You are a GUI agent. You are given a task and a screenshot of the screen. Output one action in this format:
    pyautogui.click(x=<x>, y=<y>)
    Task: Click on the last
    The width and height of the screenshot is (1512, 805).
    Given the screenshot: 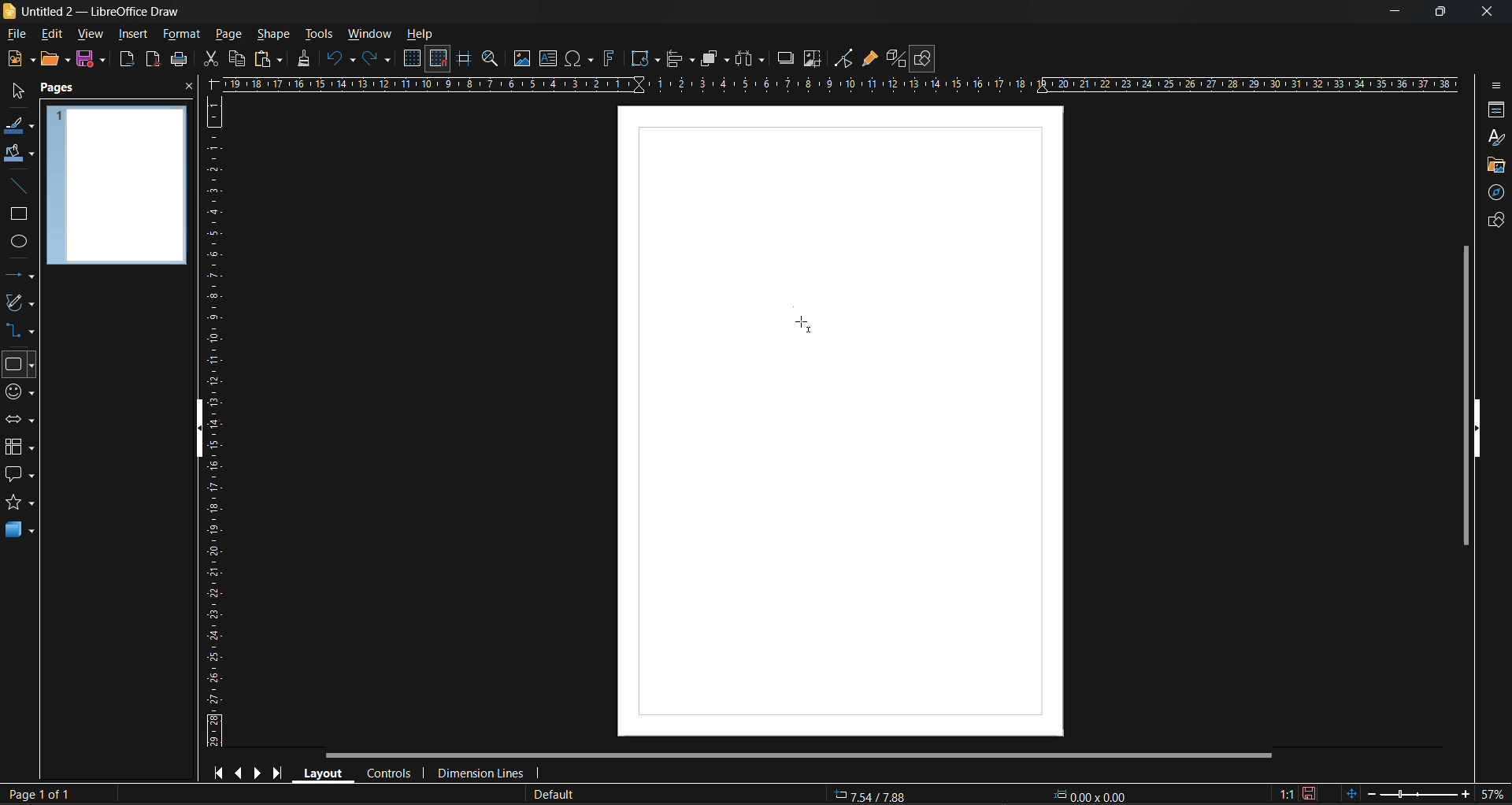 What is the action you would take?
    pyautogui.click(x=279, y=770)
    